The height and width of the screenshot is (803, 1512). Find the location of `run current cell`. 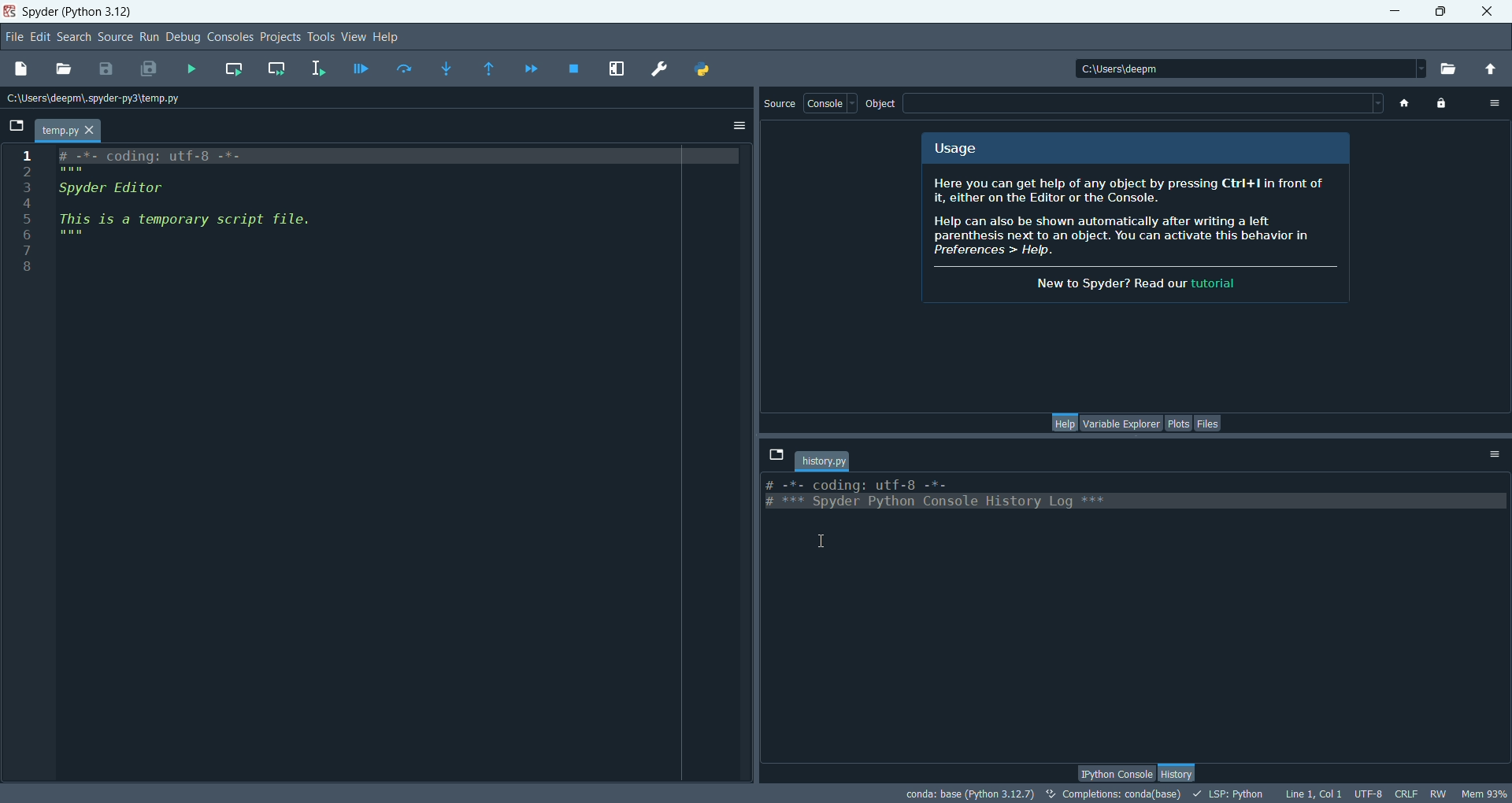

run current cell is located at coordinates (235, 68).